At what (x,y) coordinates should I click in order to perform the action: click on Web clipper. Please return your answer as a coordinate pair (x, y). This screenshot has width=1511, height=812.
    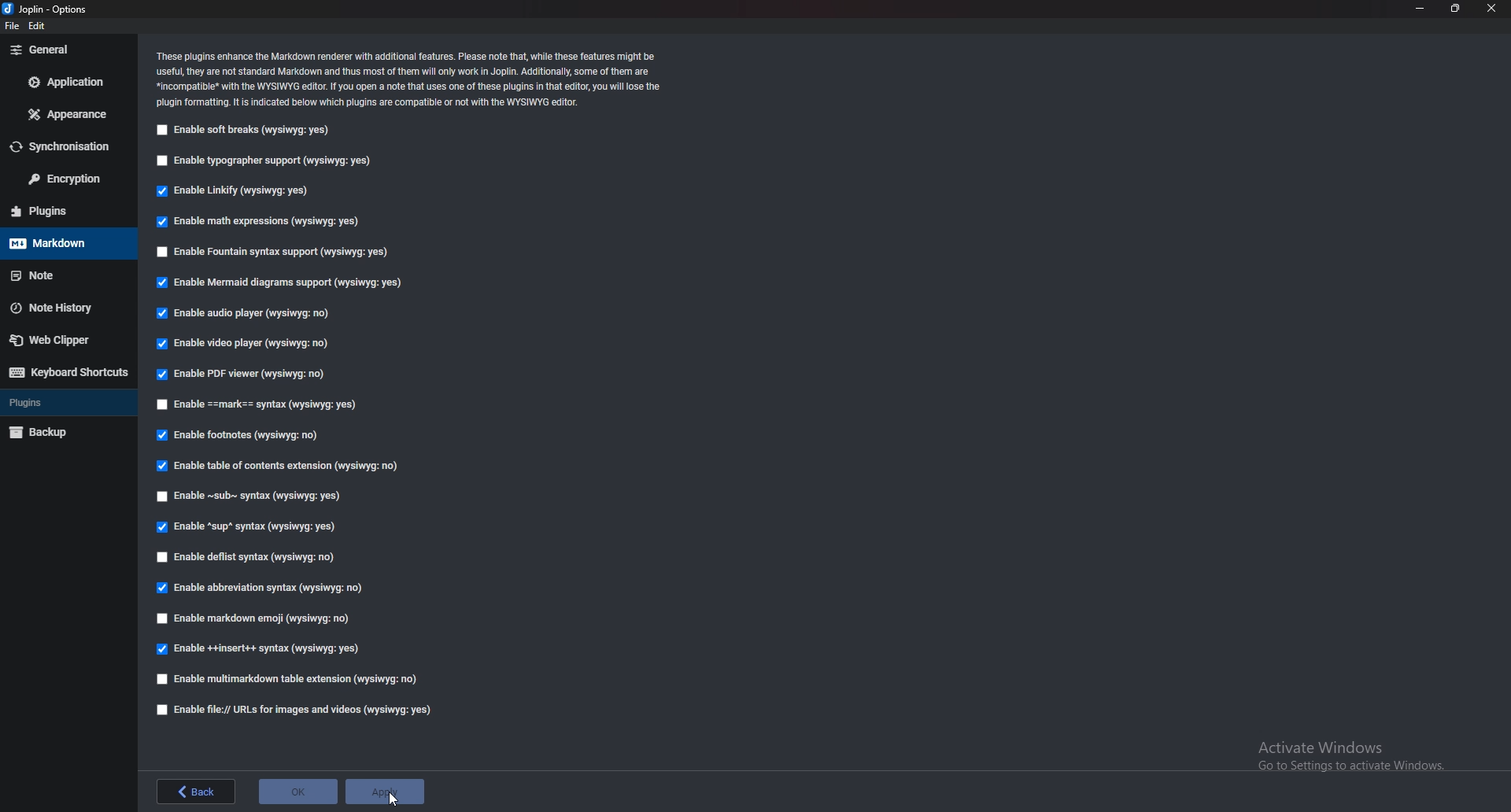
    Looking at the image, I should click on (62, 341).